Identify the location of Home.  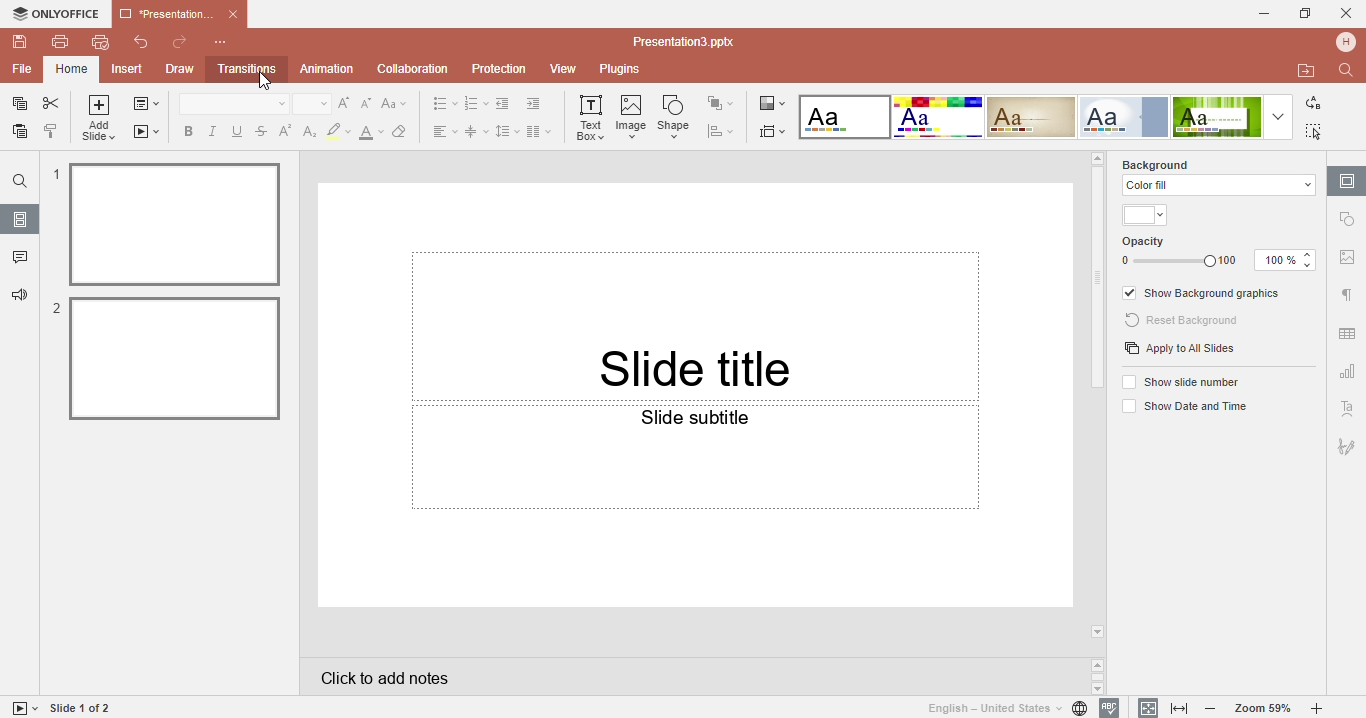
(71, 69).